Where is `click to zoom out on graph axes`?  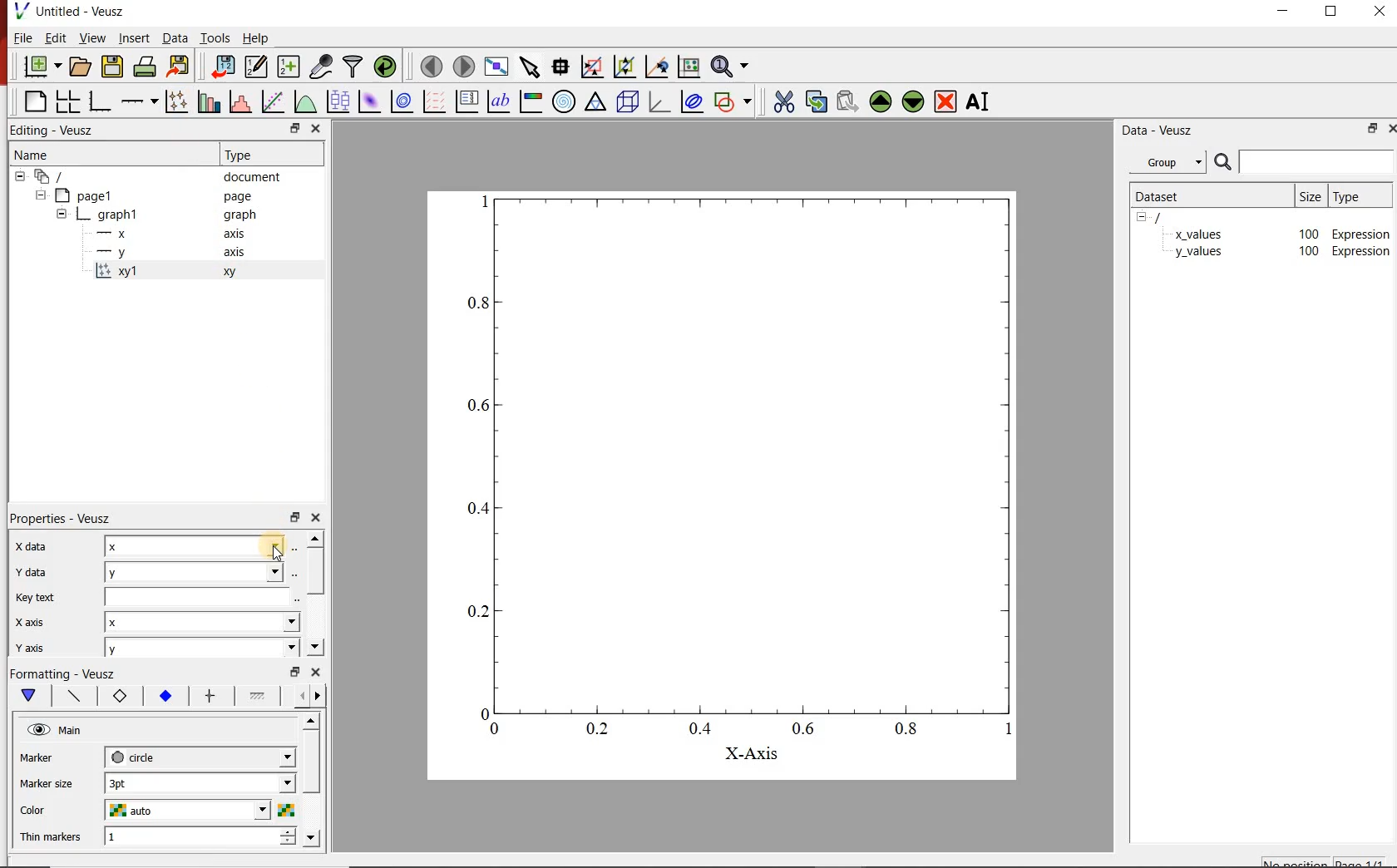 click to zoom out on graph axes is located at coordinates (622, 67).